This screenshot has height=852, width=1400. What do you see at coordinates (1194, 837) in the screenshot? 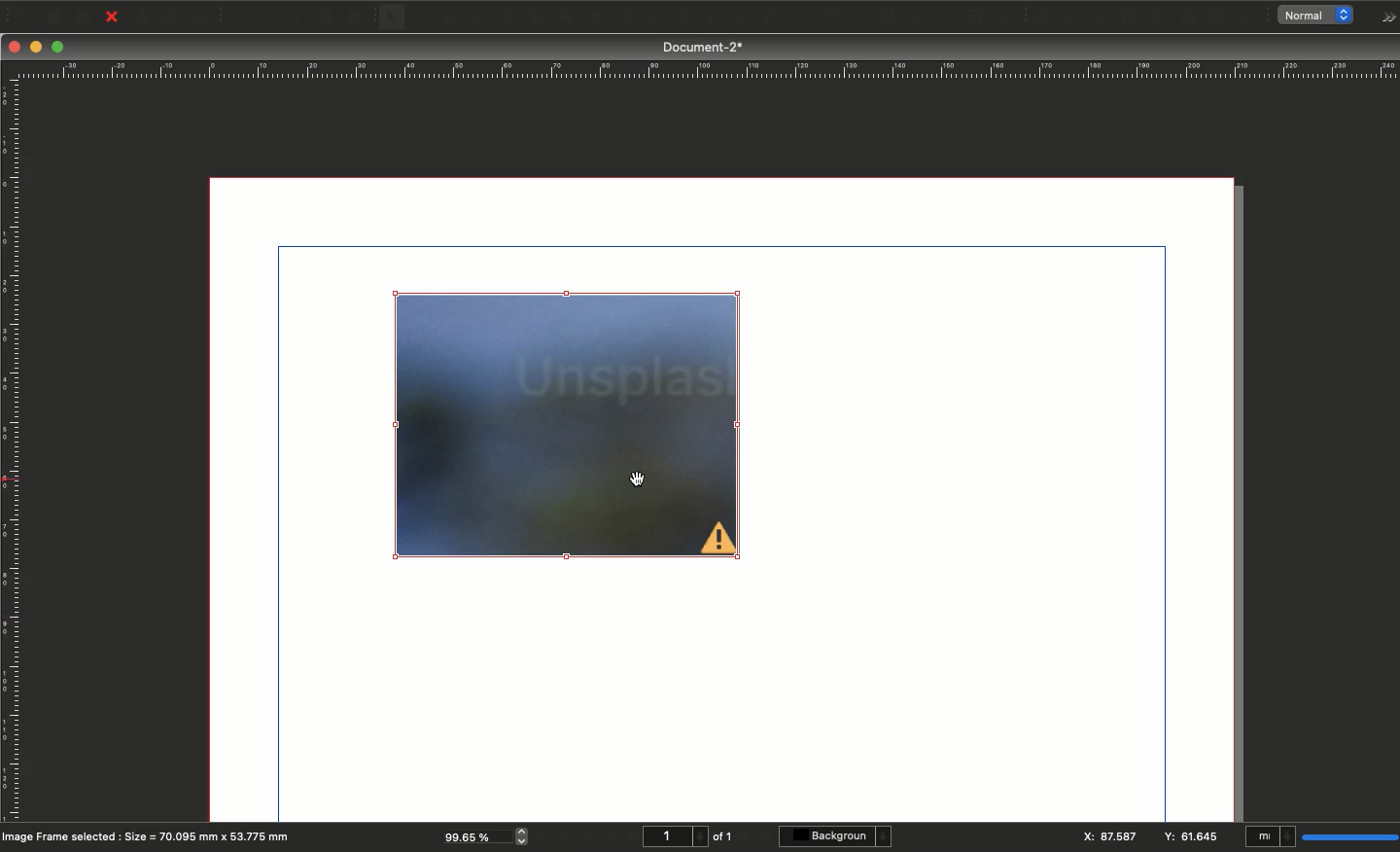
I see `y: 61.645` at bounding box center [1194, 837].